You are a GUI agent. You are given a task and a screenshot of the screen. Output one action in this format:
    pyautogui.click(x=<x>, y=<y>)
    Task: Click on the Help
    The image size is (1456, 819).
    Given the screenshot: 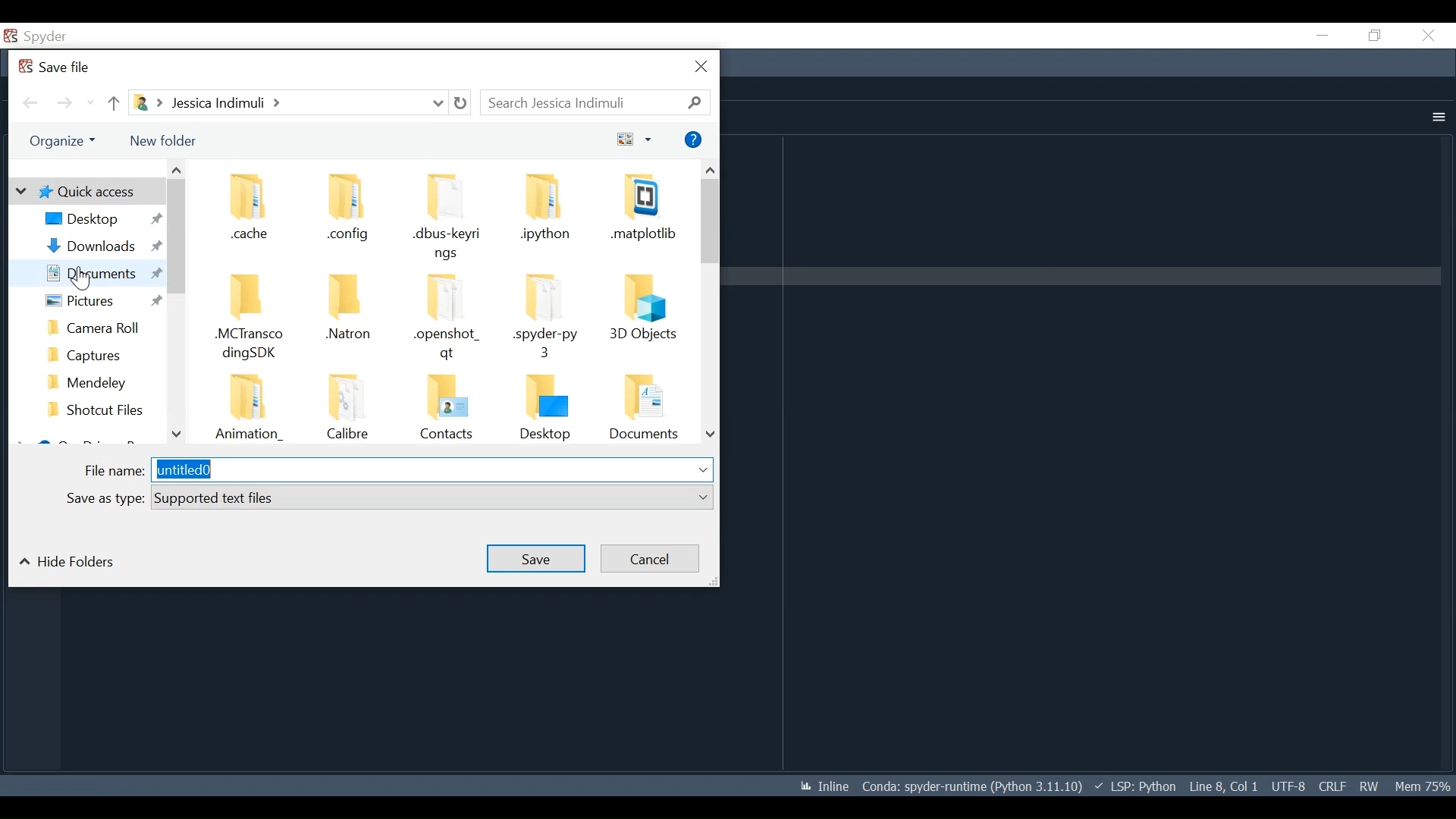 What is the action you would take?
    pyautogui.click(x=694, y=140)
    